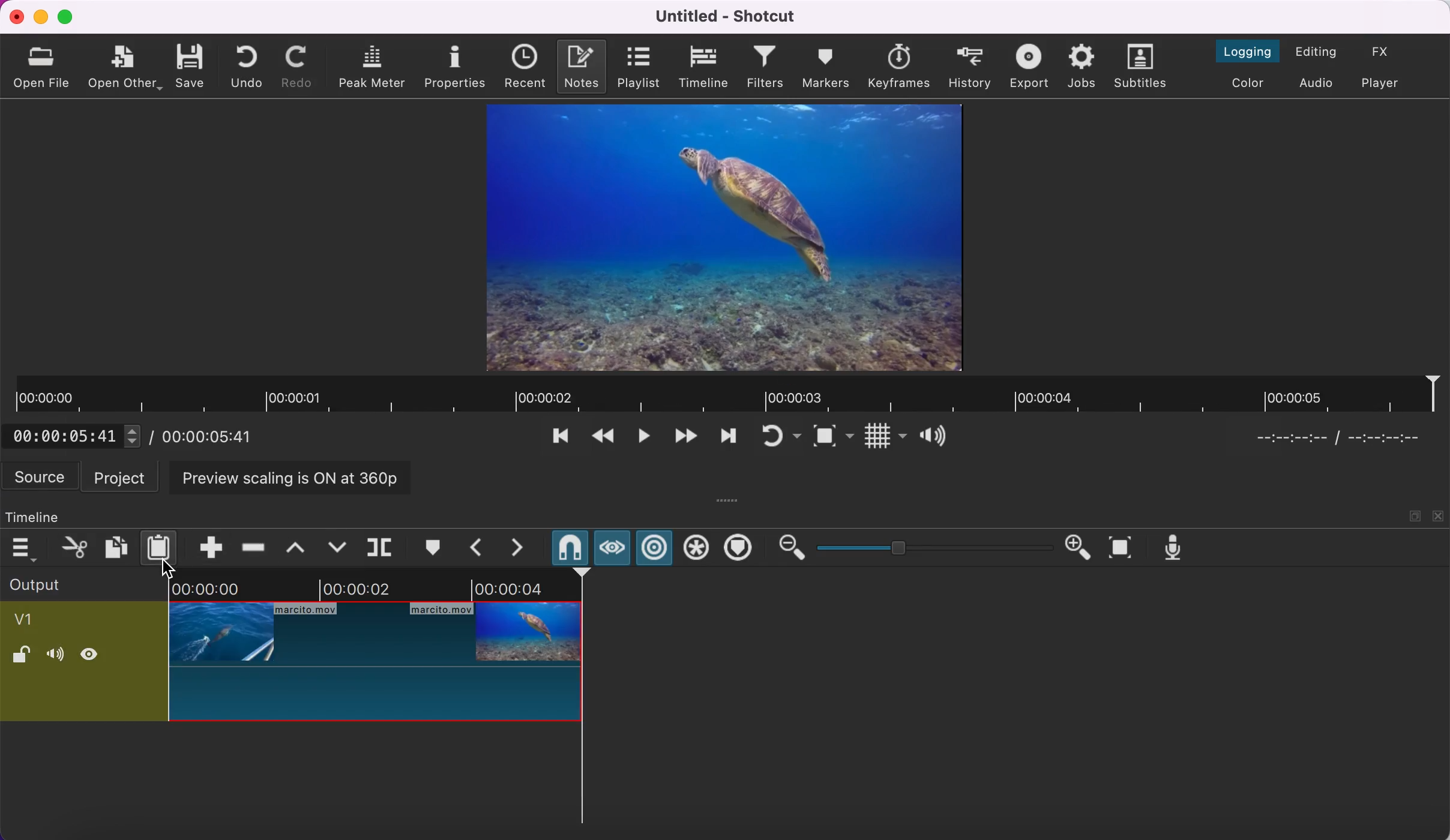 This screenshot has height=840, width=1450. What do you see at coordinates (58, 658) in the screenshot?
I see `volume` at bounding box center [58, 658].